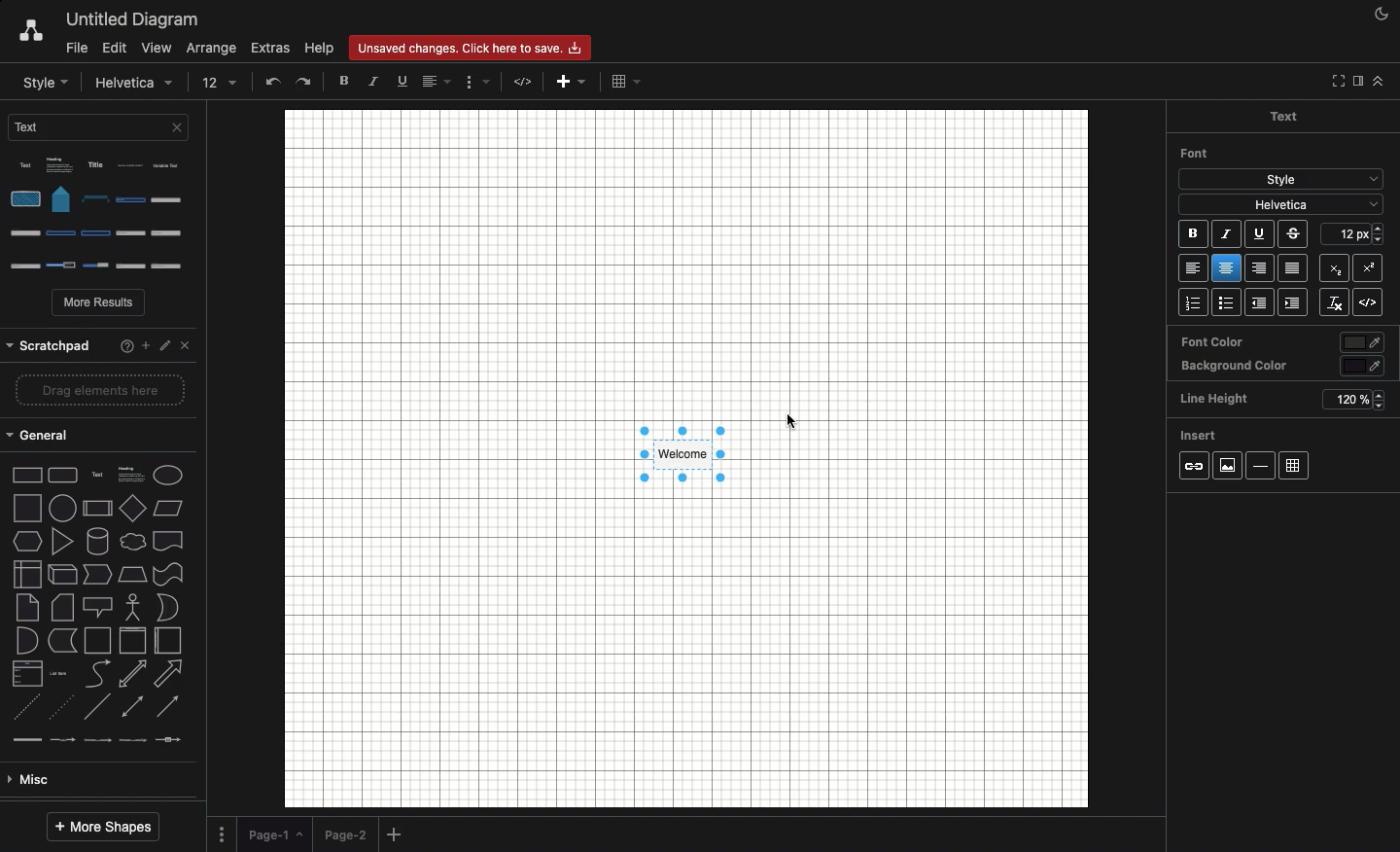 This screenshot has width=1400, height=852. What do you see at coordinates (1281, 343) in the screenshot?
I see `Font color` at bounding box center [1281, 343].